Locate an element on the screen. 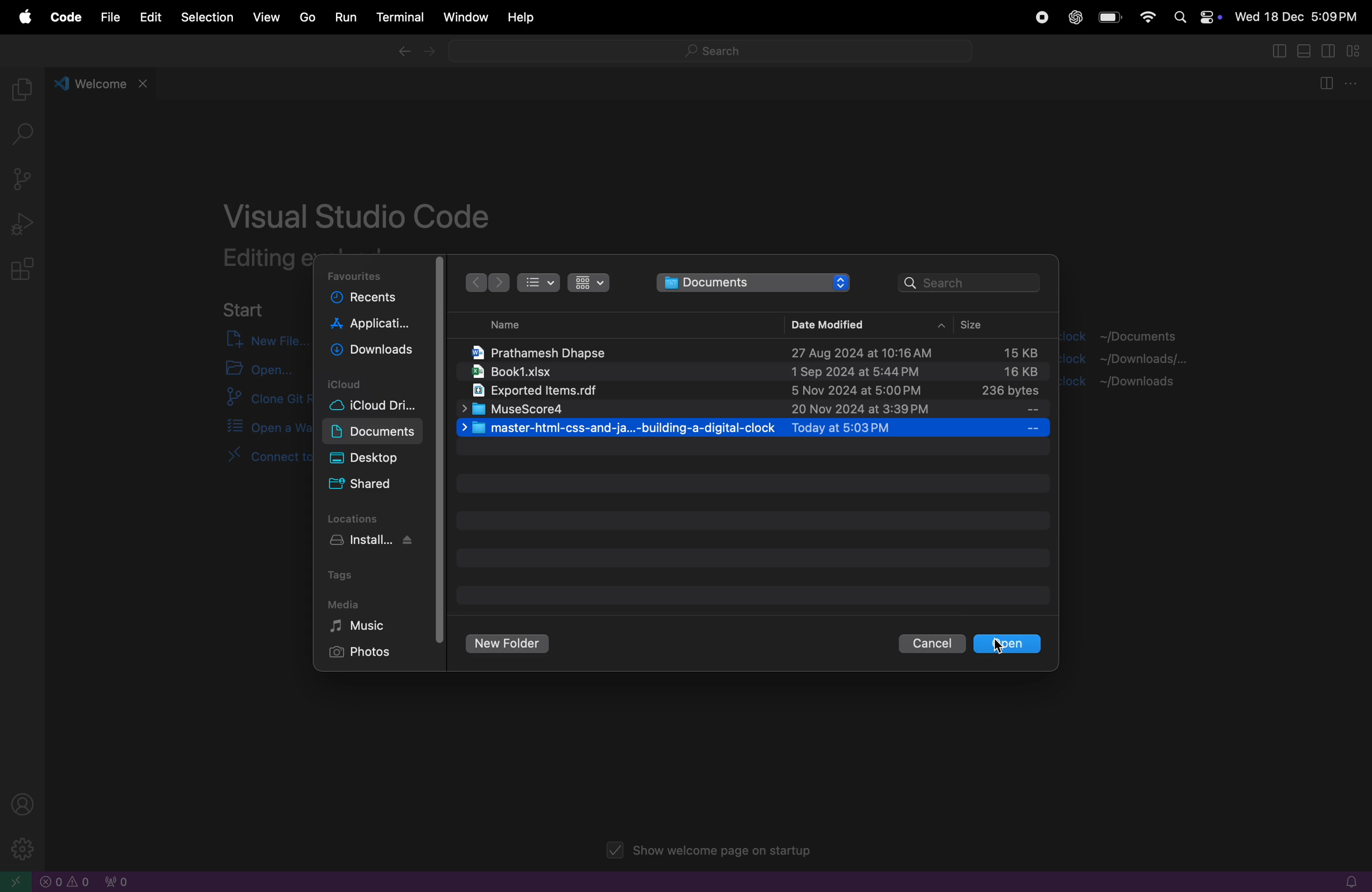 The width and height of the screenshot is (1372, 892). media is located at coordinates (344, 603).